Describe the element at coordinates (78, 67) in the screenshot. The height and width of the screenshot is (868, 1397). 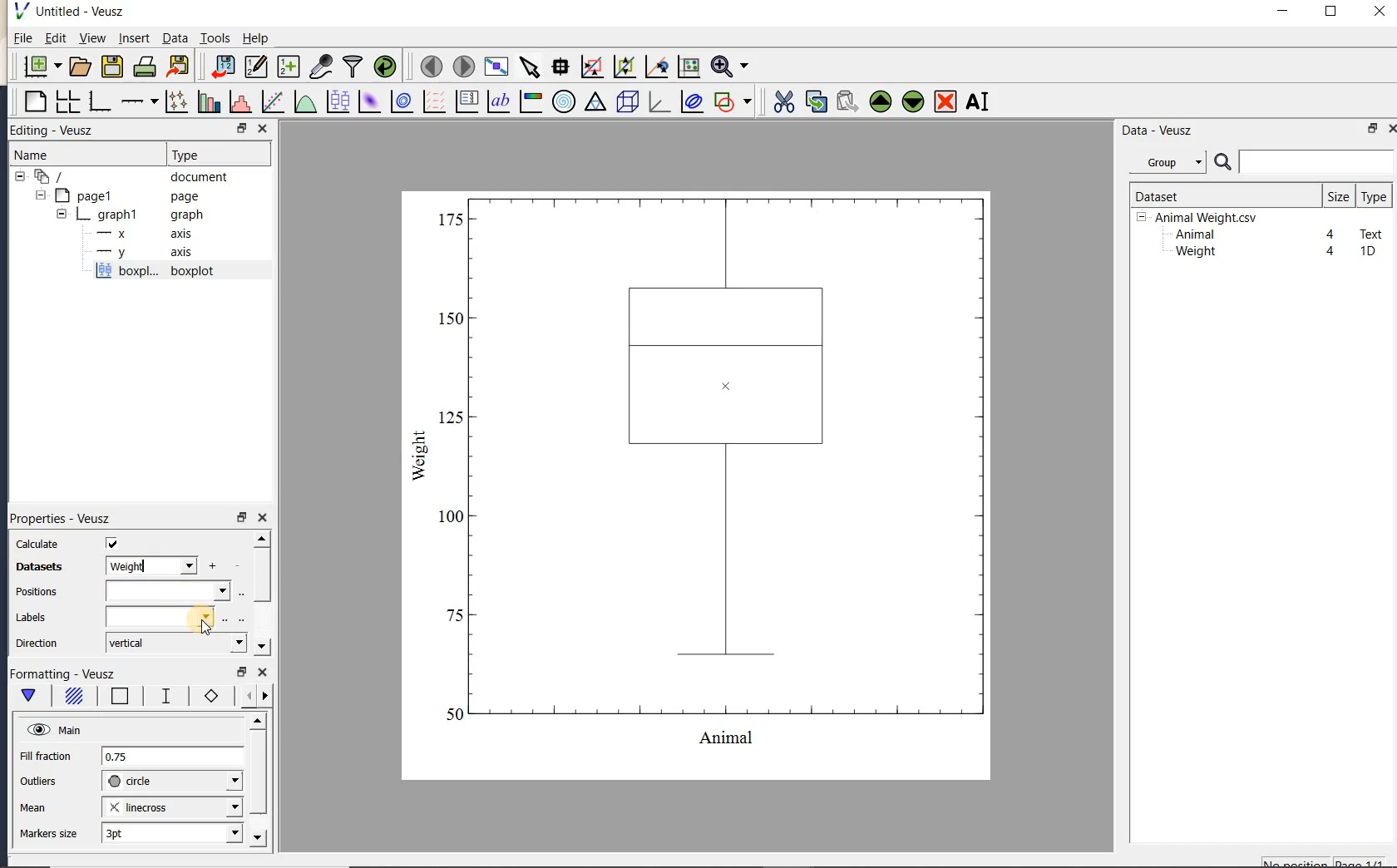
I see `open a document` at that location.